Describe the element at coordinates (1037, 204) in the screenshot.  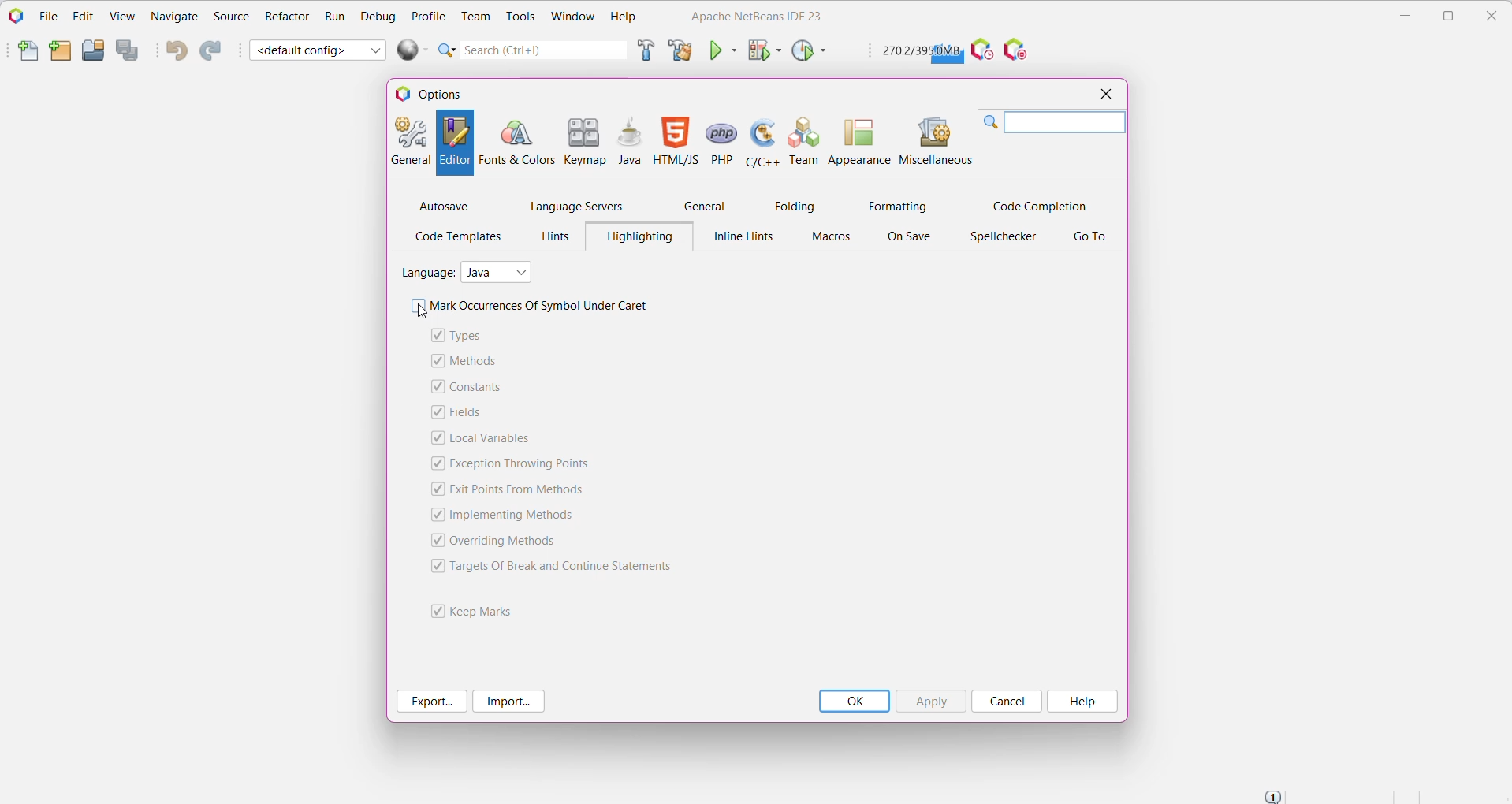
I see `Code Completion` at that location.